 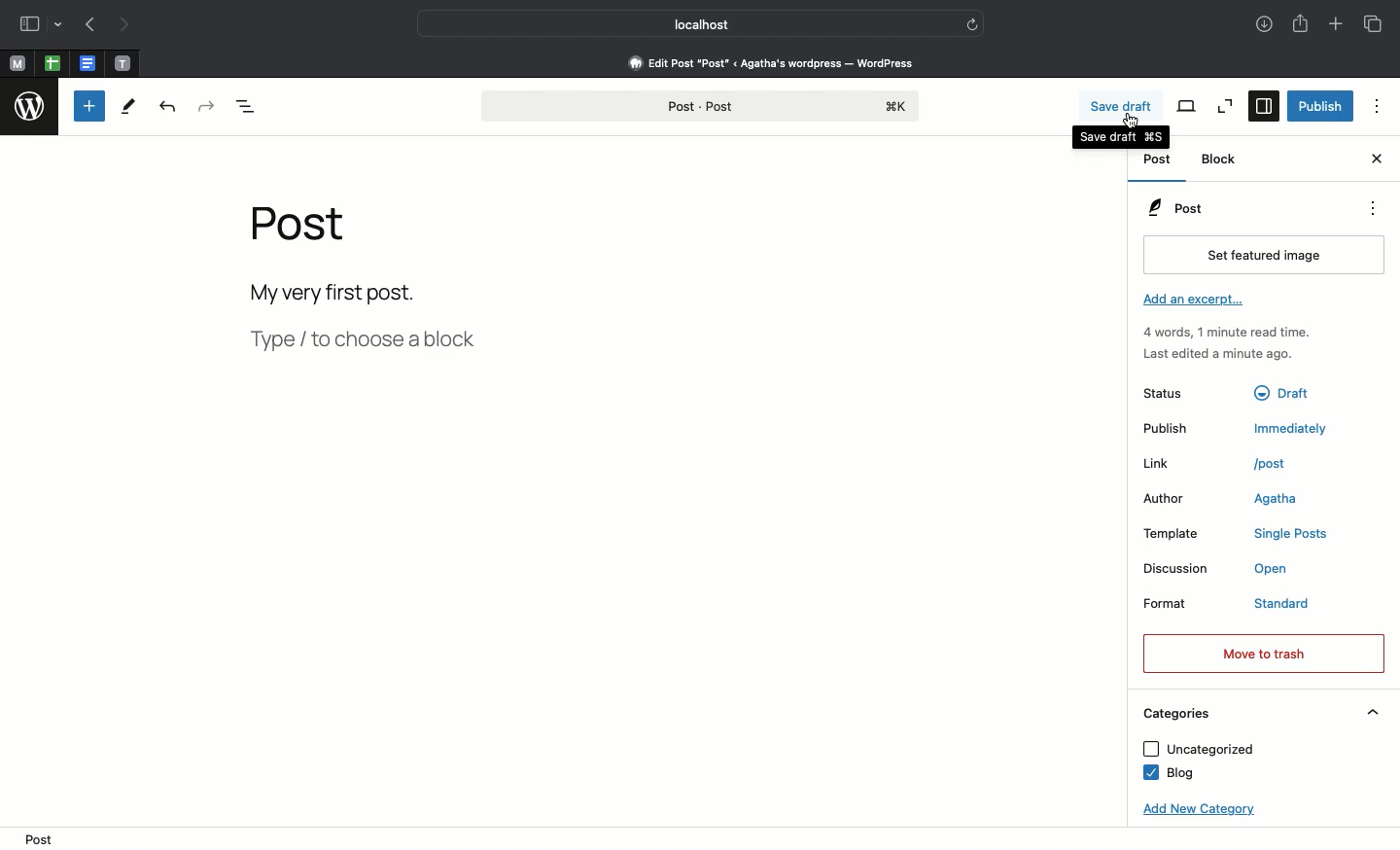 I want to click on Save draft, so click(x=1119, y=108).